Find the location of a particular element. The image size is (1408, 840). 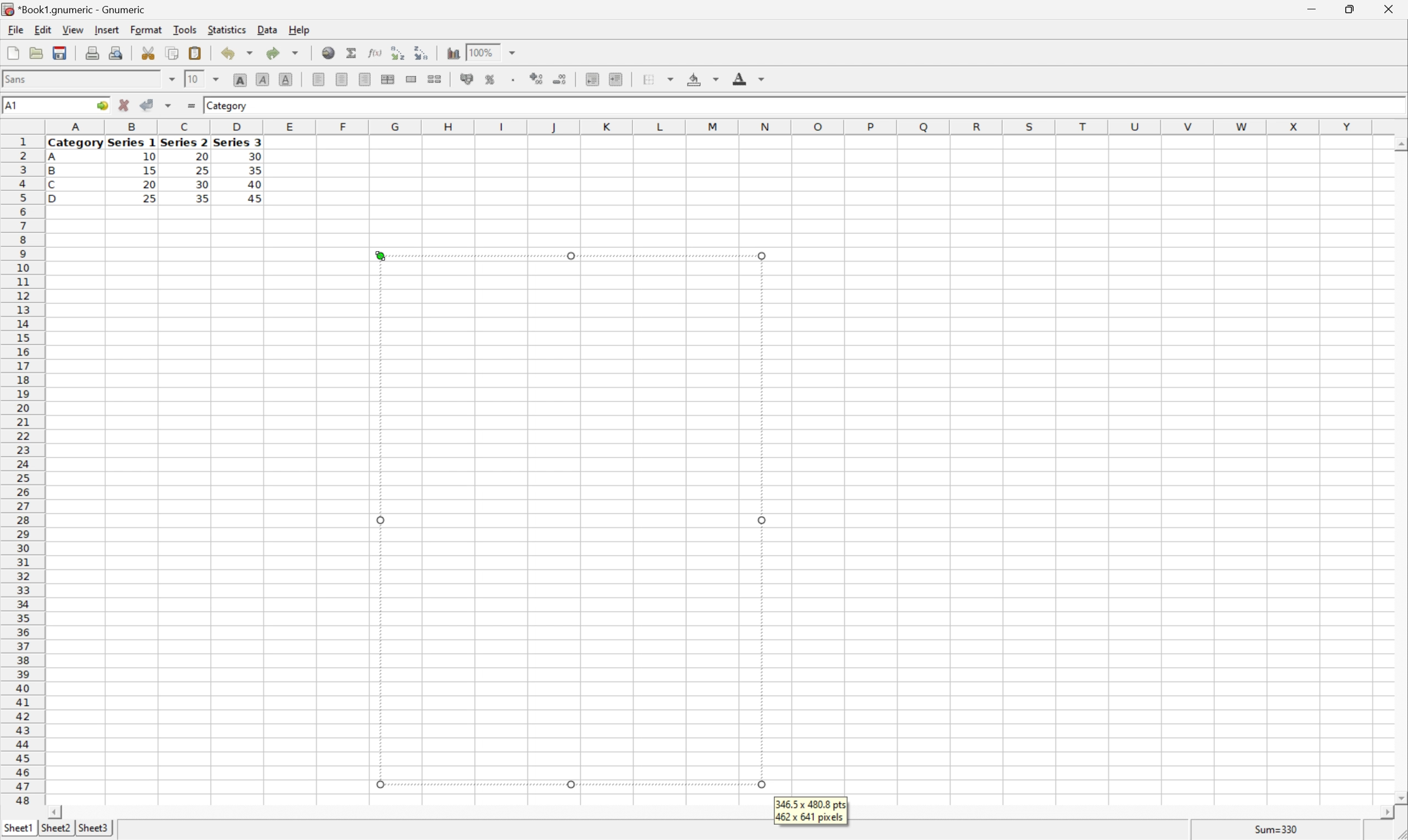

Category is located at coordinates (76, 144).